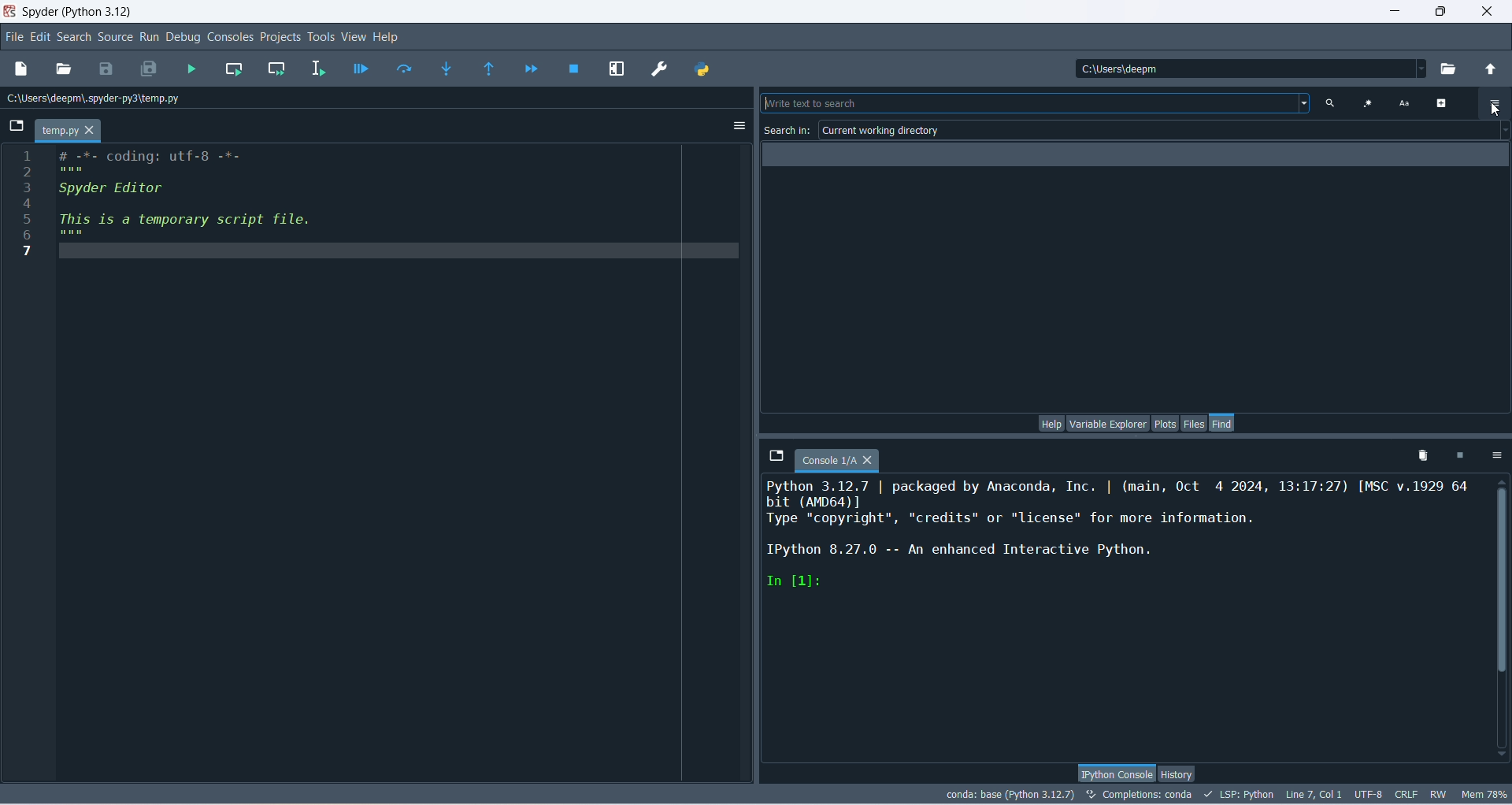 The width and height of the screenshot is (1512, 805). I want to click on advanced options, so click(1447, 103).